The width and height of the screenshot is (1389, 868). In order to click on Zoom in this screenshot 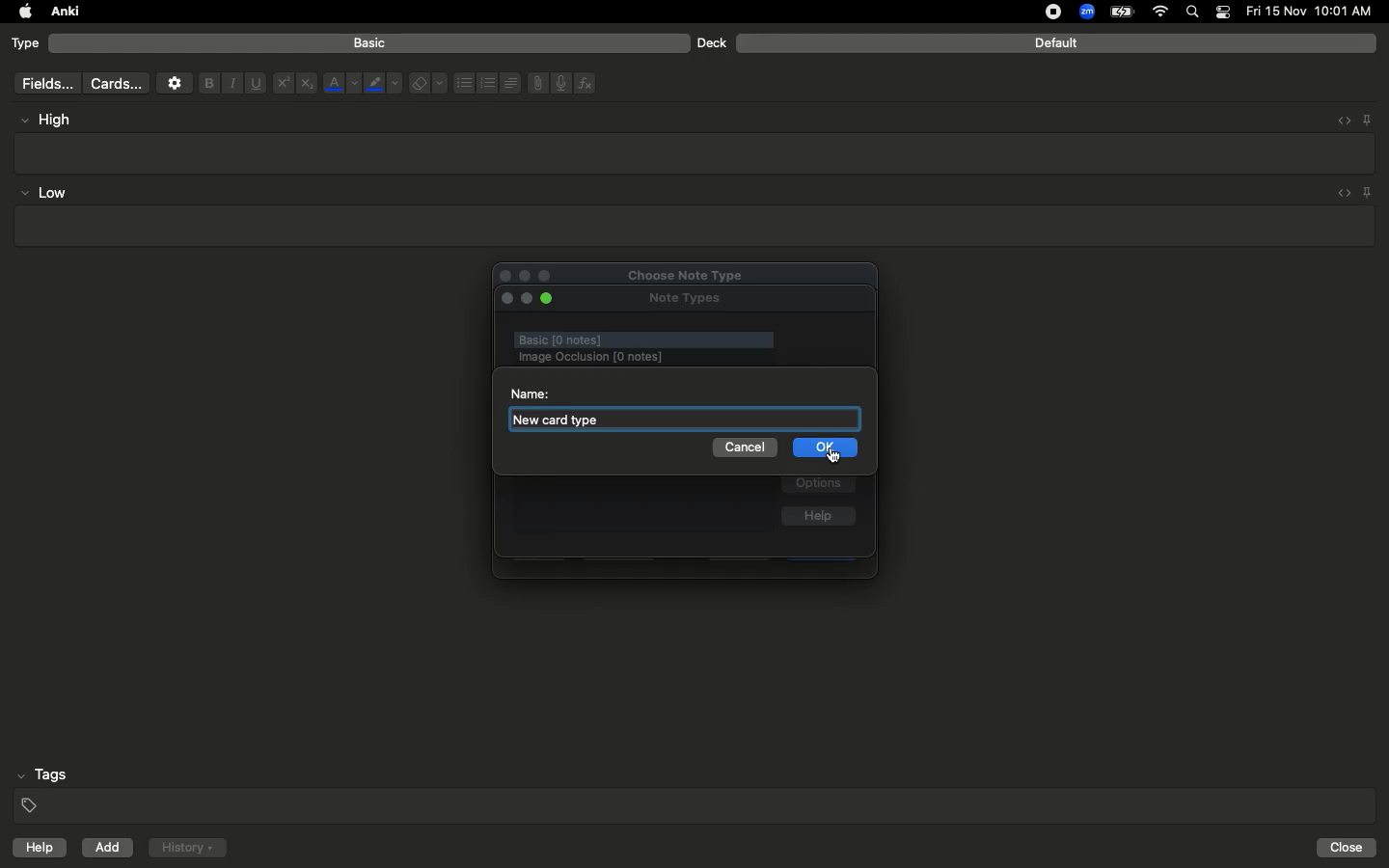, I will do `click(1085, 13)`.